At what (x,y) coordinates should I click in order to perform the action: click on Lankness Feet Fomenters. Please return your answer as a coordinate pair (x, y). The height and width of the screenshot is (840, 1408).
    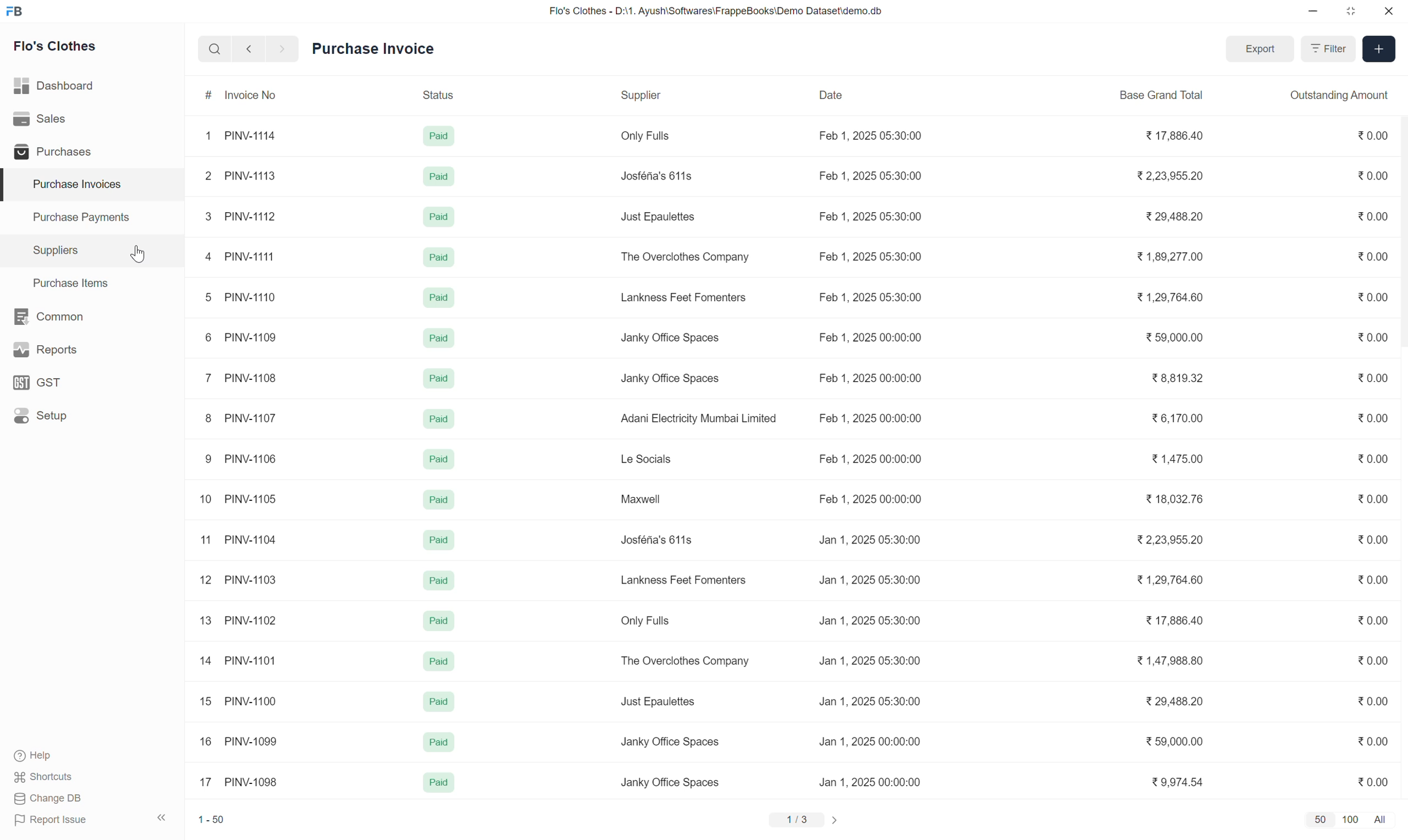
    Looking at the image, I should click on (685, 580).